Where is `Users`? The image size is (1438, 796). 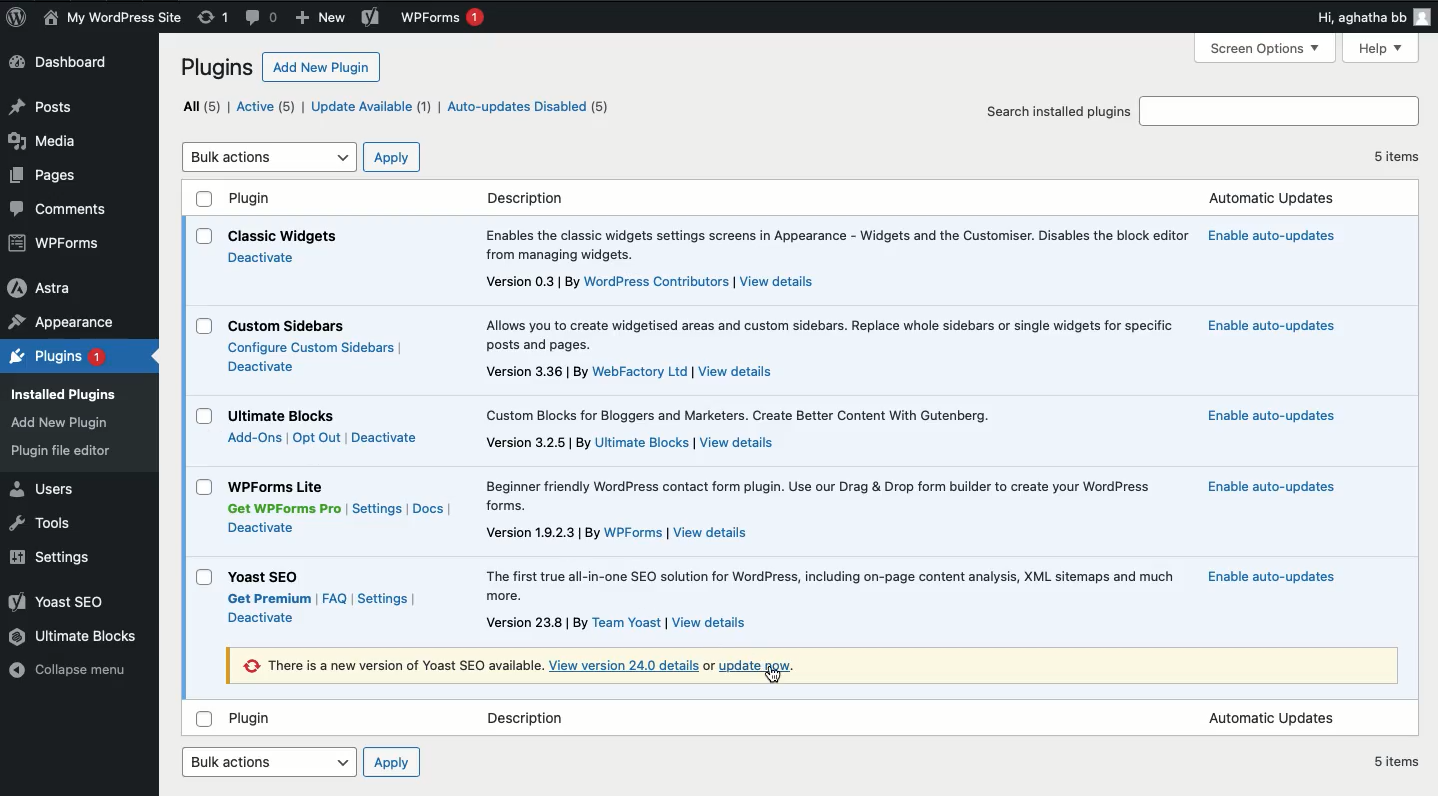 Users is located at coordinates (47, 490).